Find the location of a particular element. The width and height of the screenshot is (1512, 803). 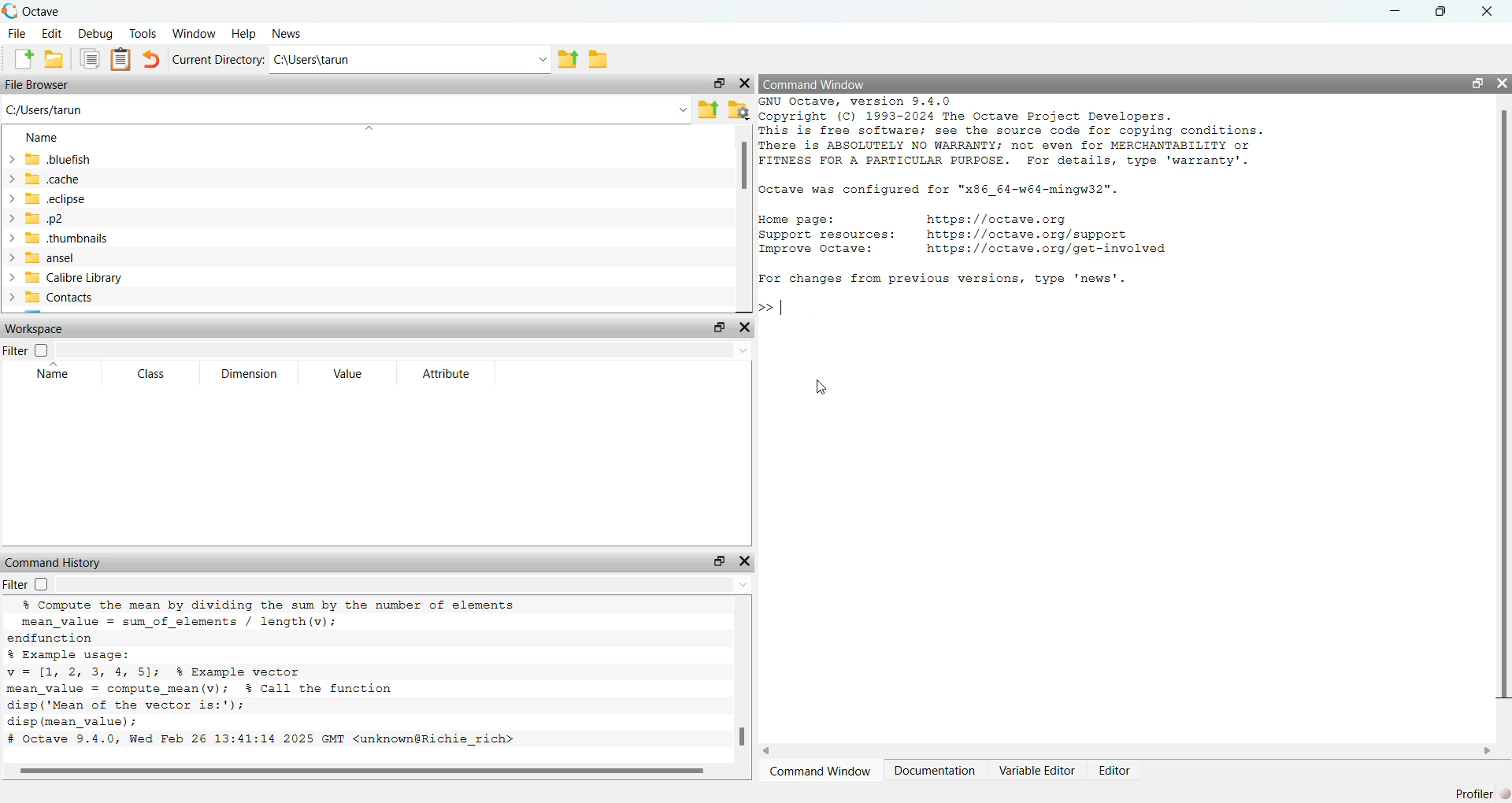

tools is located at coordinates (144, 32).